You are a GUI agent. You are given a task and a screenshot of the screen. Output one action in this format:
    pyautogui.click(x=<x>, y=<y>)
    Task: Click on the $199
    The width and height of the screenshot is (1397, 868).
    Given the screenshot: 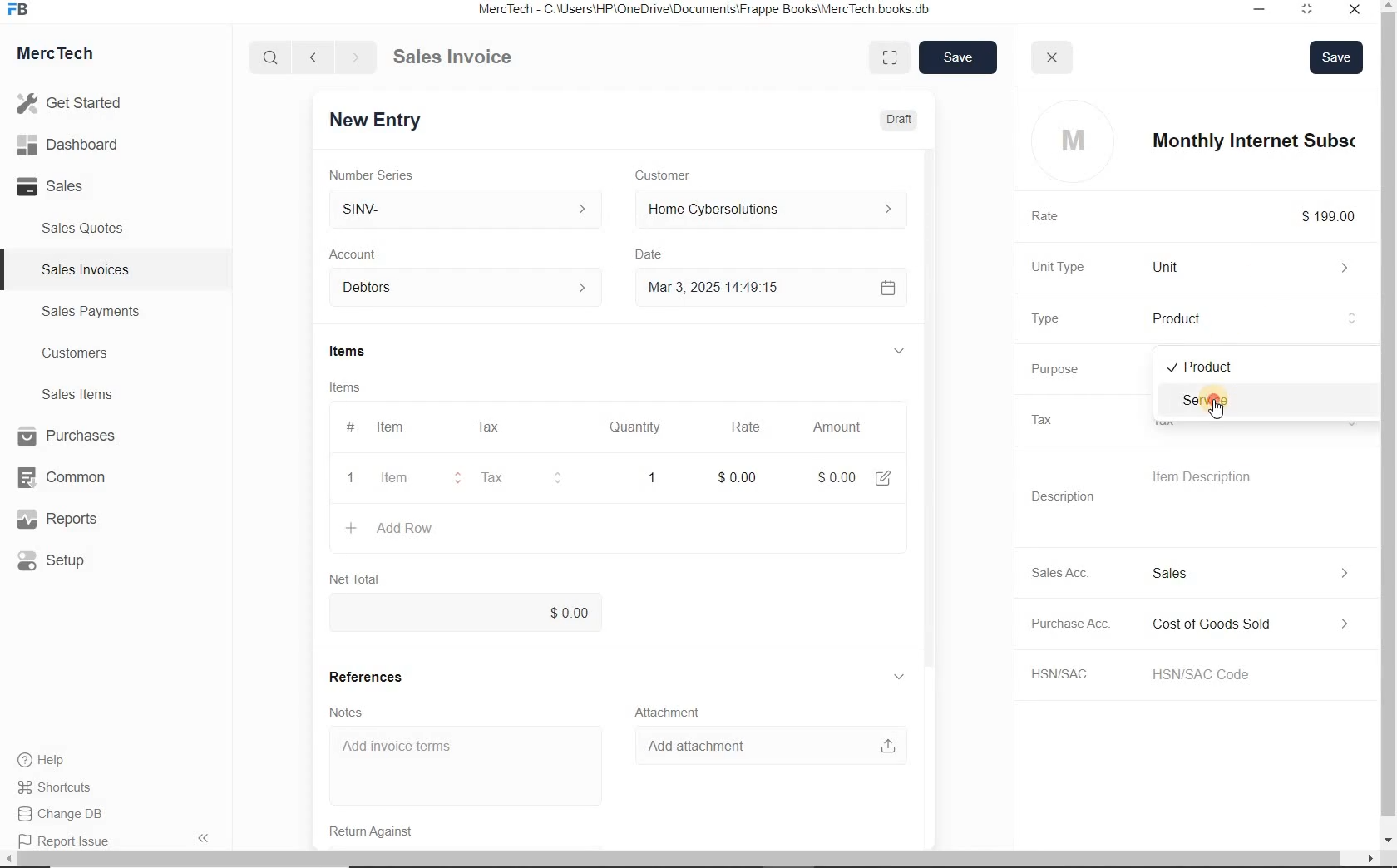 What is the action you would take?
    pyautogui.click(x=1340, y=216)
    